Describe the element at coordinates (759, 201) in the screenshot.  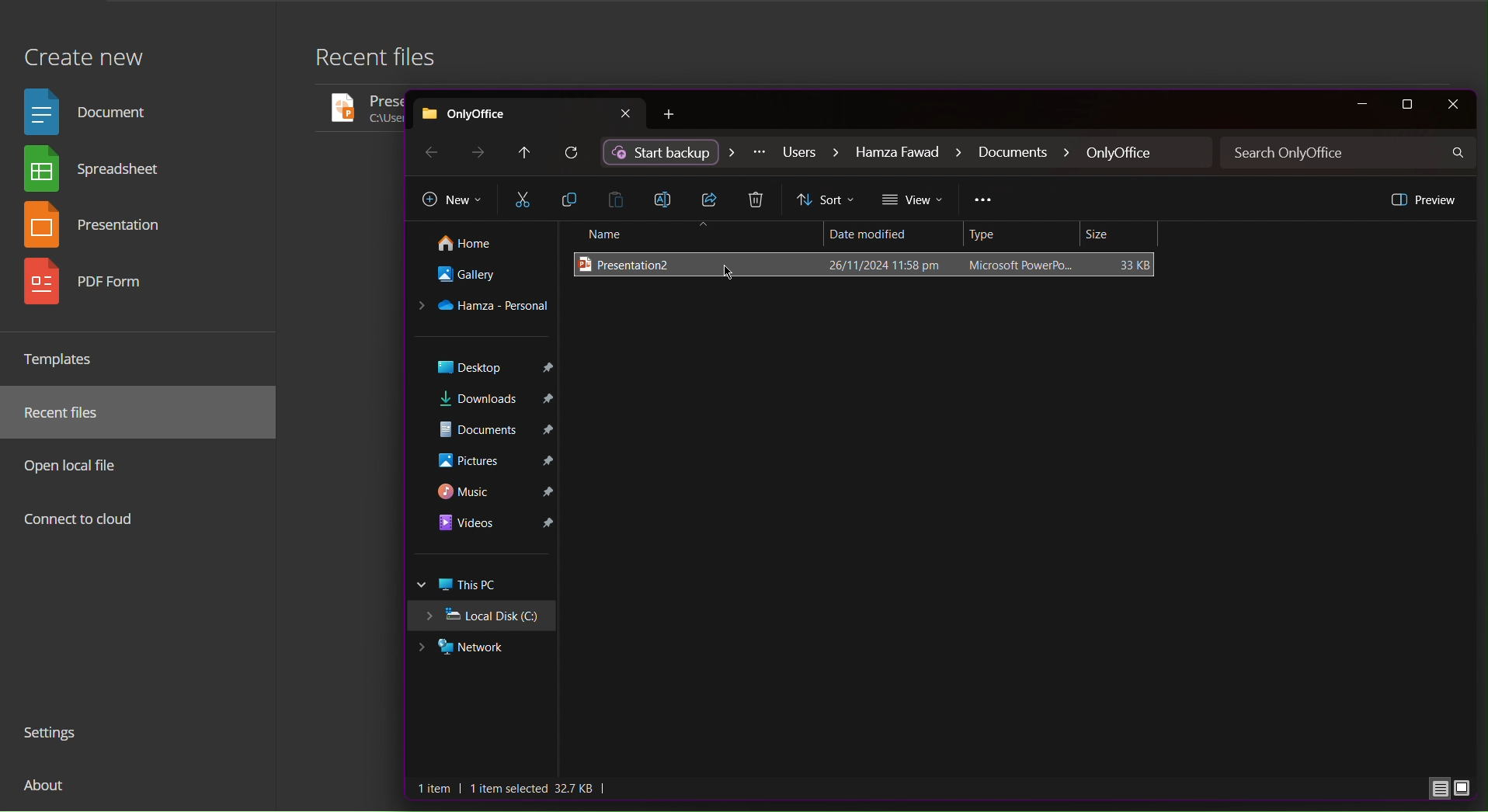
I see `Delete` at that location.